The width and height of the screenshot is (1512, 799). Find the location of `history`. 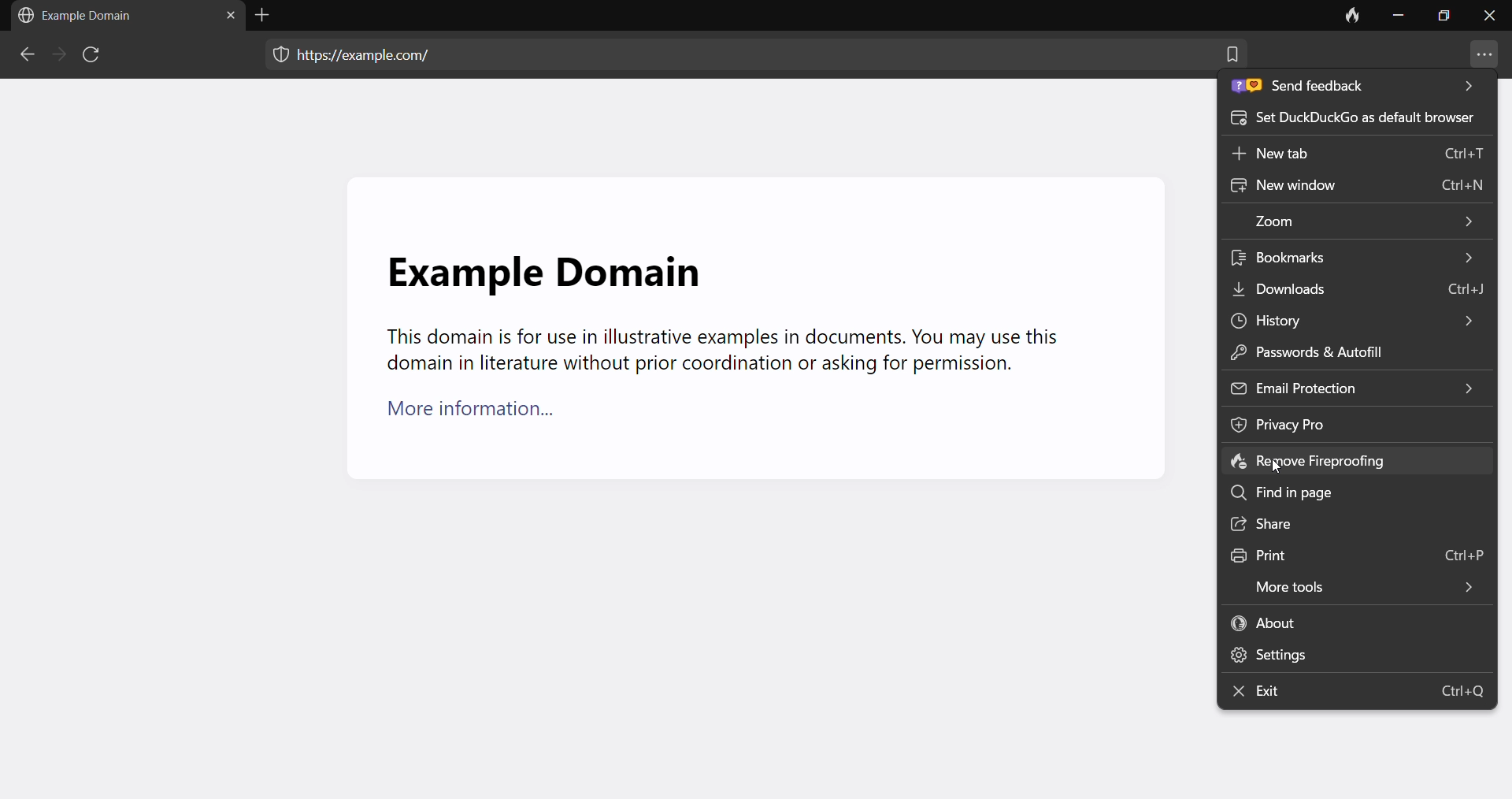

history is located at coordinates (1348, 318).